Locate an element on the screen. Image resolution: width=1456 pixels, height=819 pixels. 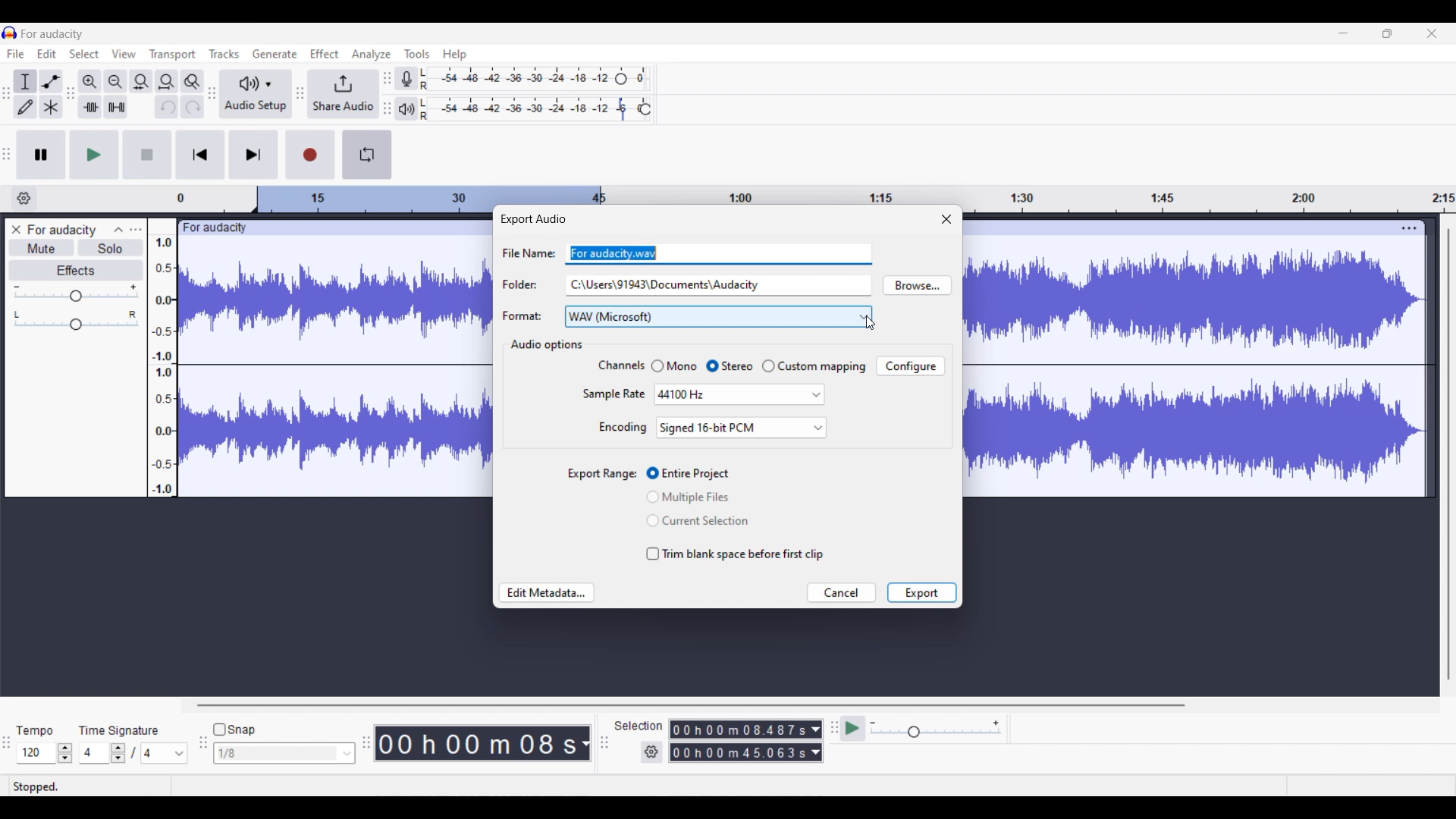
Transport menu is located at coordinates (173, 55).